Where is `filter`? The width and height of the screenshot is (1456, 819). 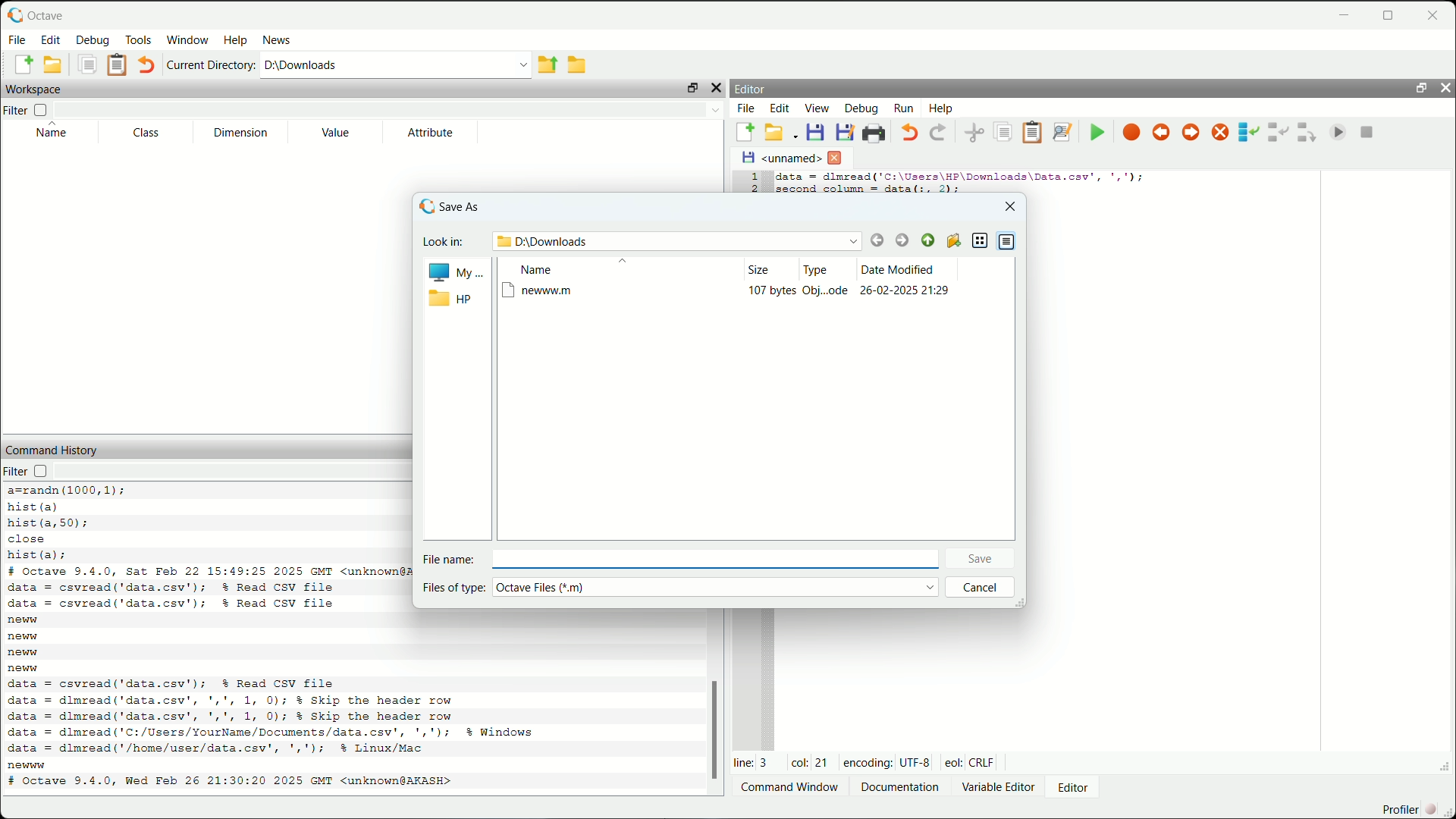 filter is located at coordinates (31, 470).